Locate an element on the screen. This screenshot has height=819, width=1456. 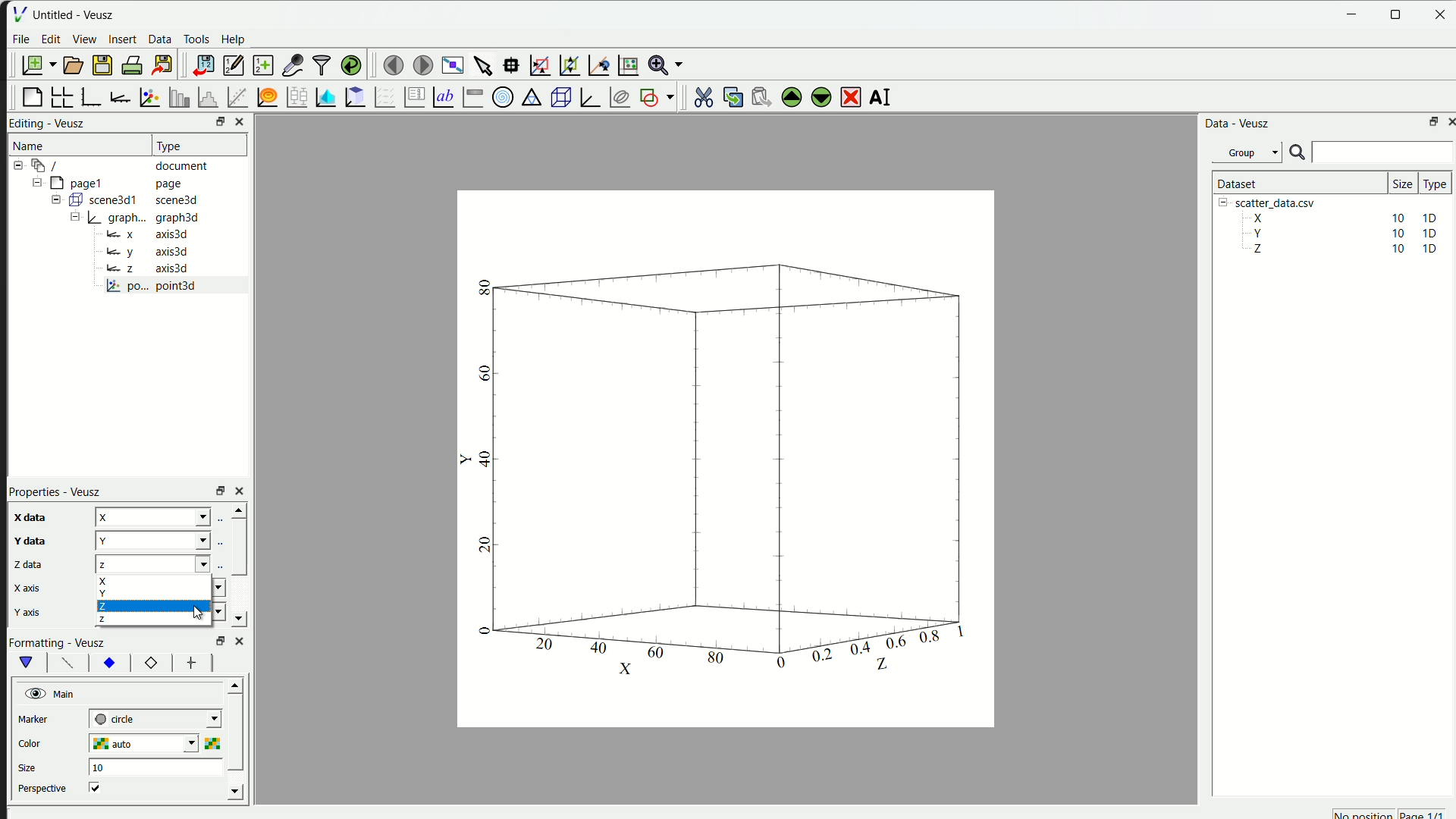
down is located at coordinates (242, 620).